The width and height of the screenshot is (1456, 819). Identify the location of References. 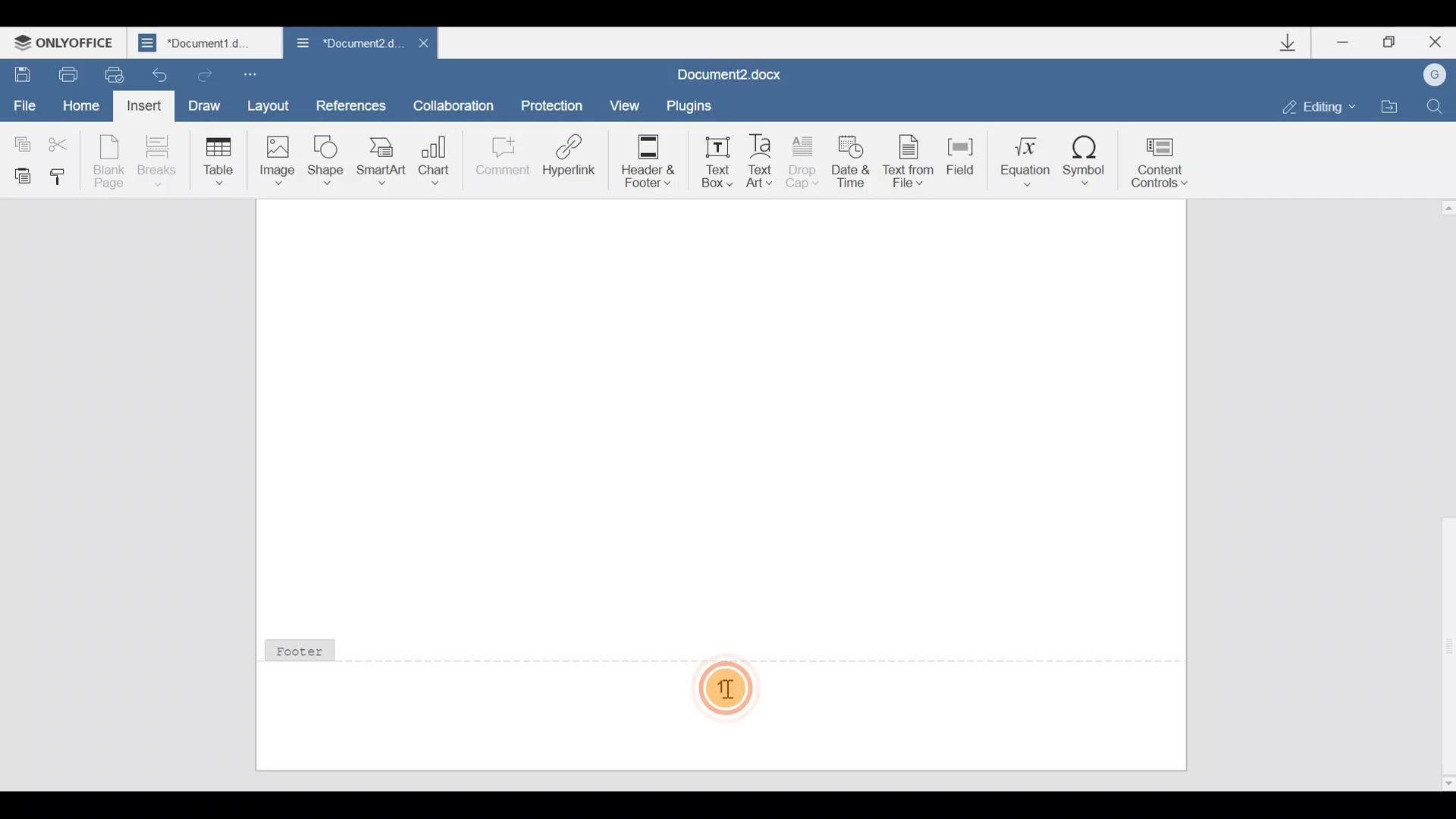
(352, 105).